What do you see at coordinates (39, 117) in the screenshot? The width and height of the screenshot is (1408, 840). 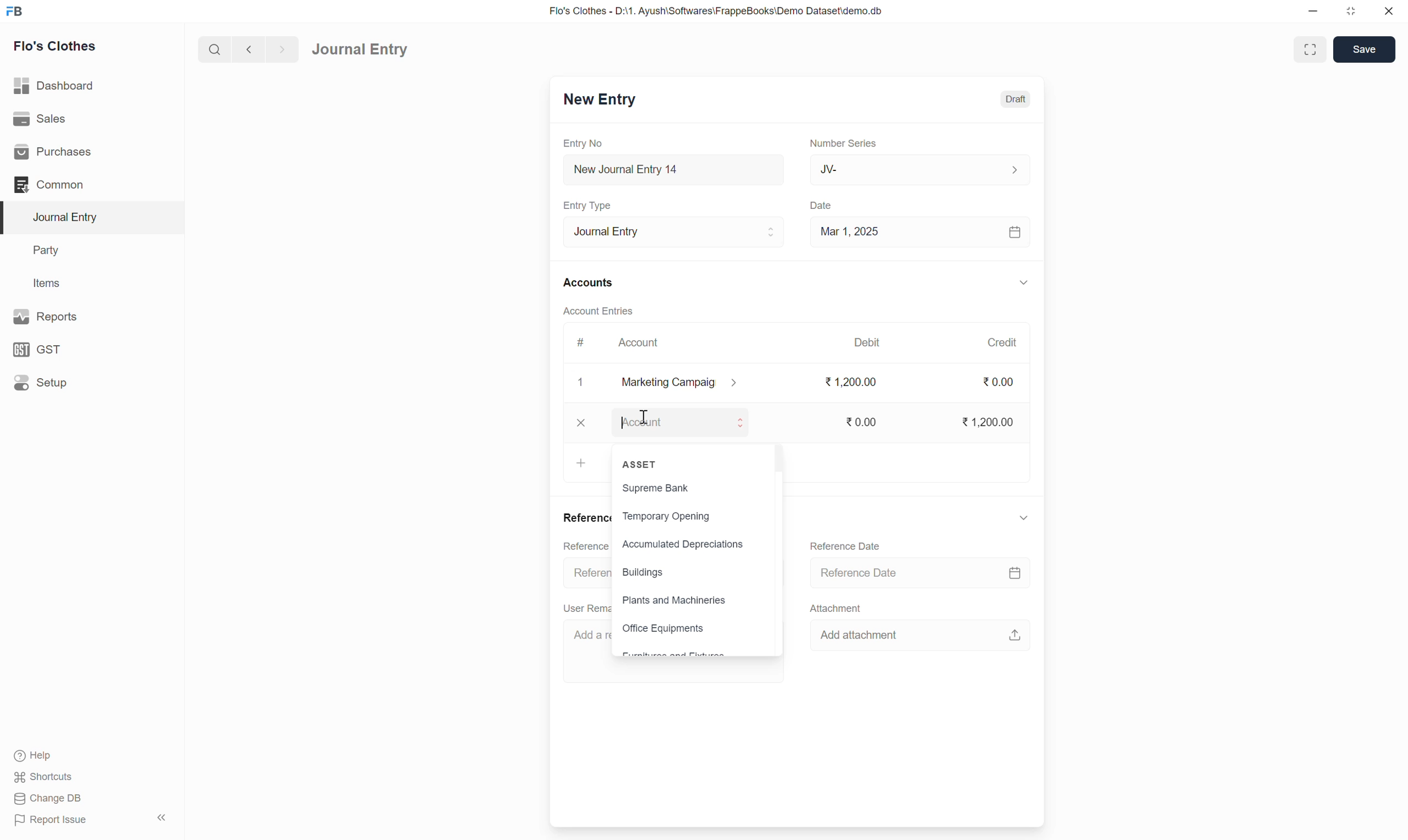 I see `Sales` at bounding box center [39, 117].